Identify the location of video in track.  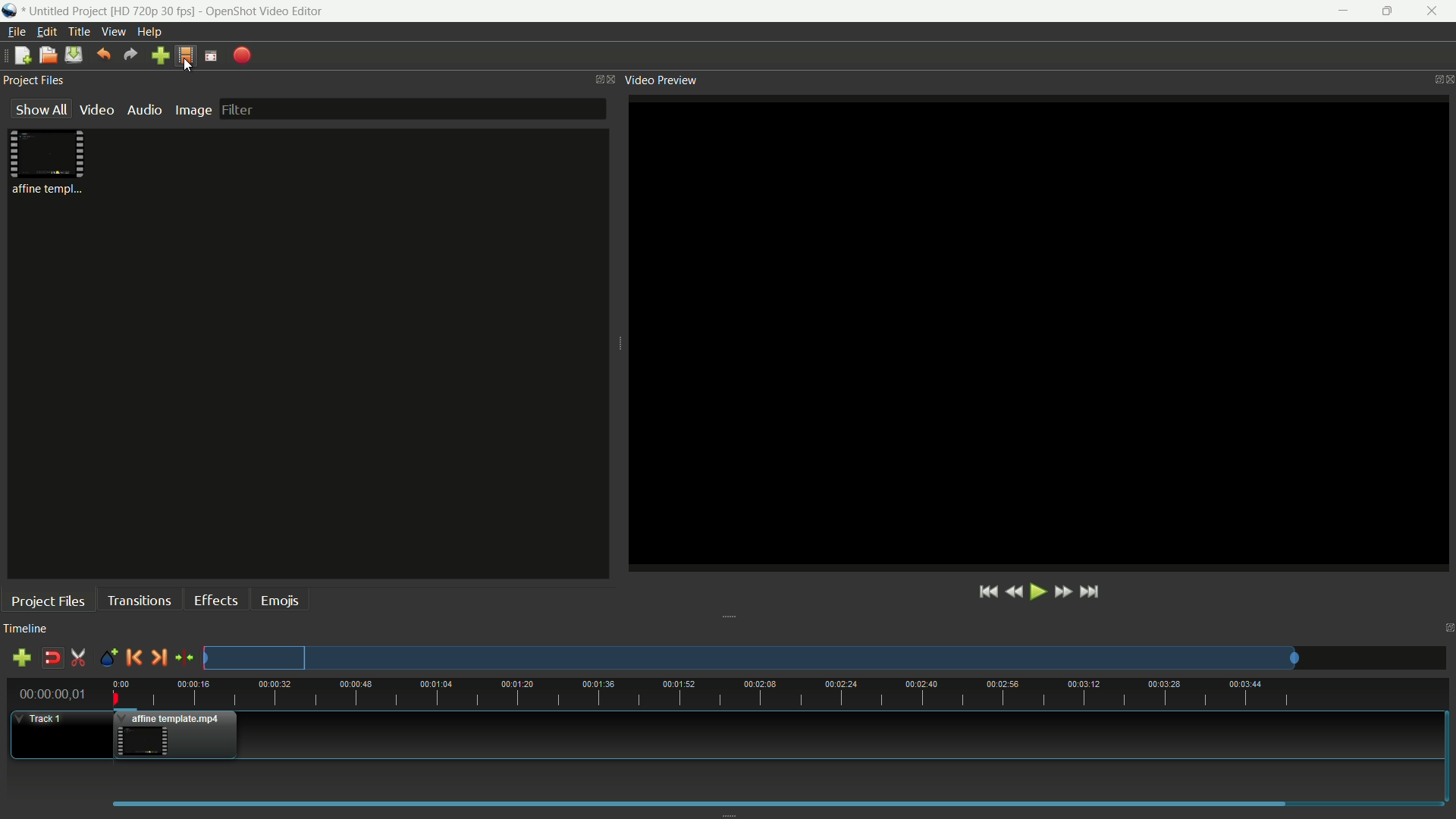
(176, 734).